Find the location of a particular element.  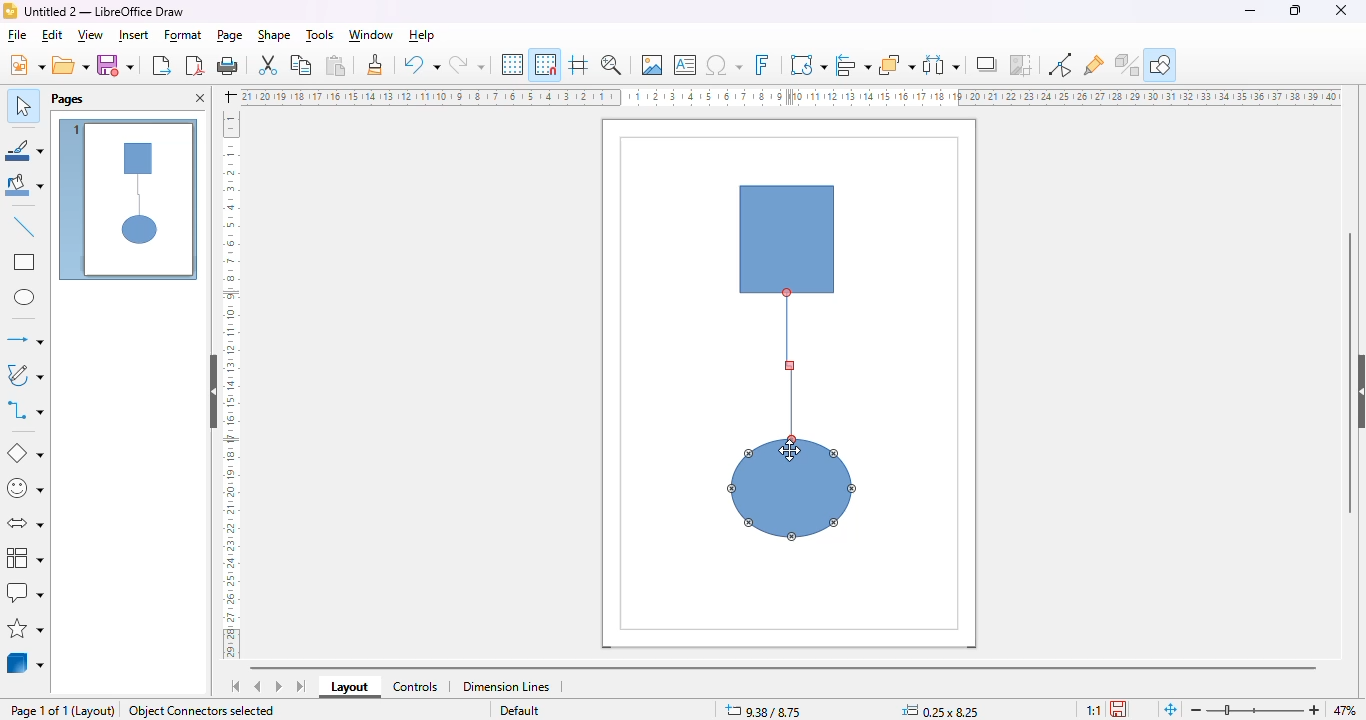

maximize is located at coordinates (1295, 10).